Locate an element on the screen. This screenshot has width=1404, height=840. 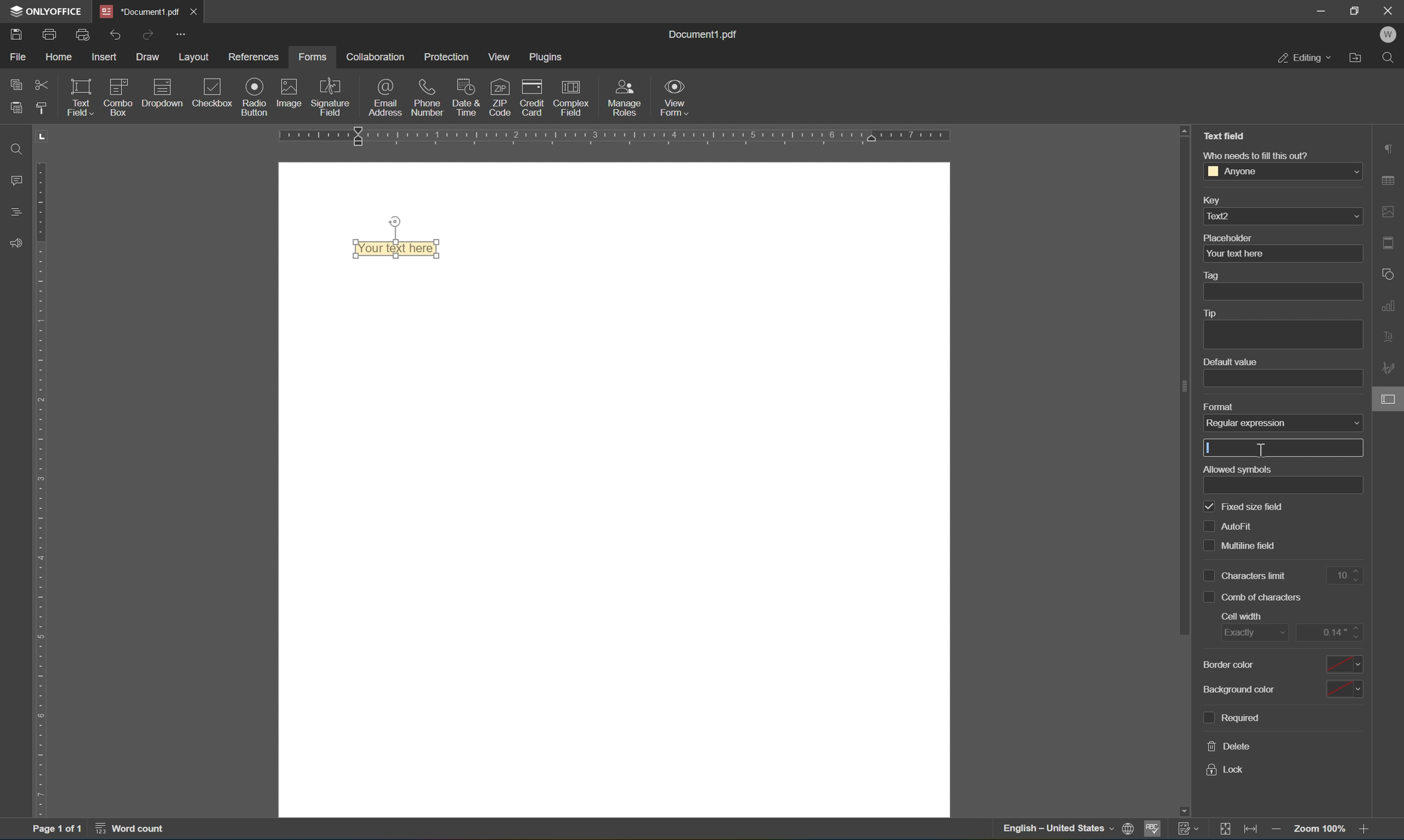
dropdown is located at coordinates (161, 96).